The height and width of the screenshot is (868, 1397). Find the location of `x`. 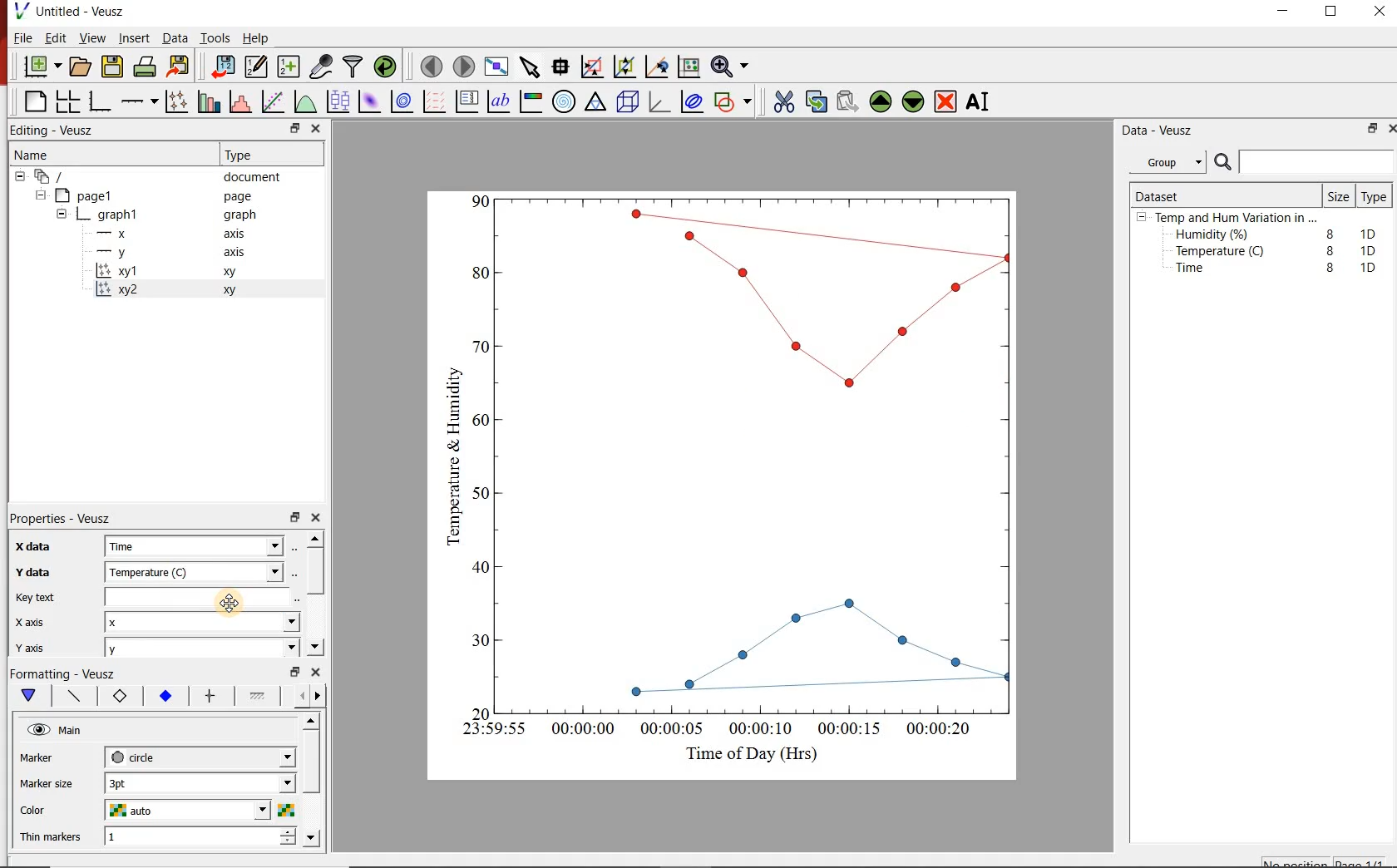

x is located at coordinates (138, 623).